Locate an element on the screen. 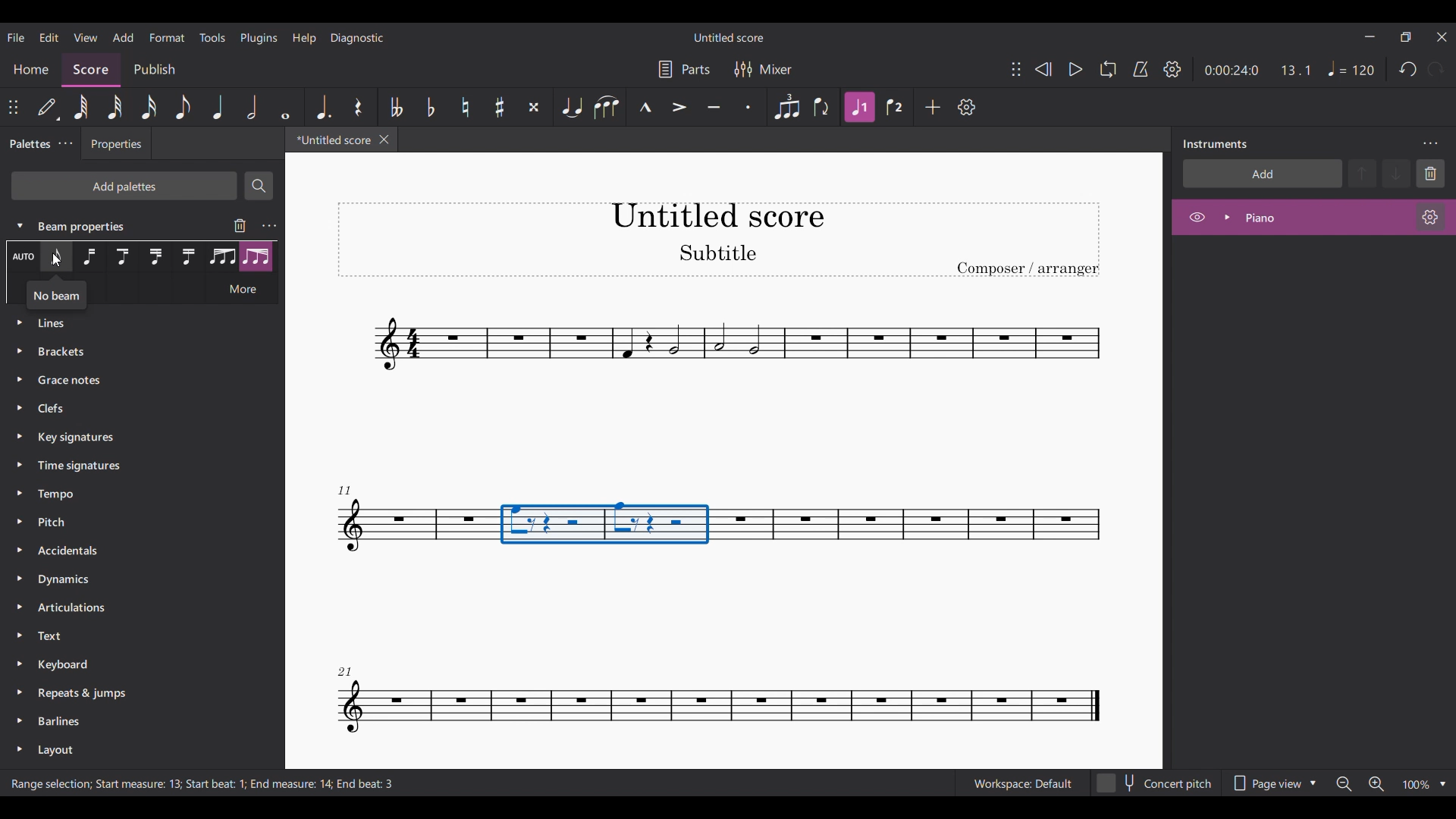 This screenshot has width=1456, height=819. Customize toolbar is located at coordinates (966, 108).